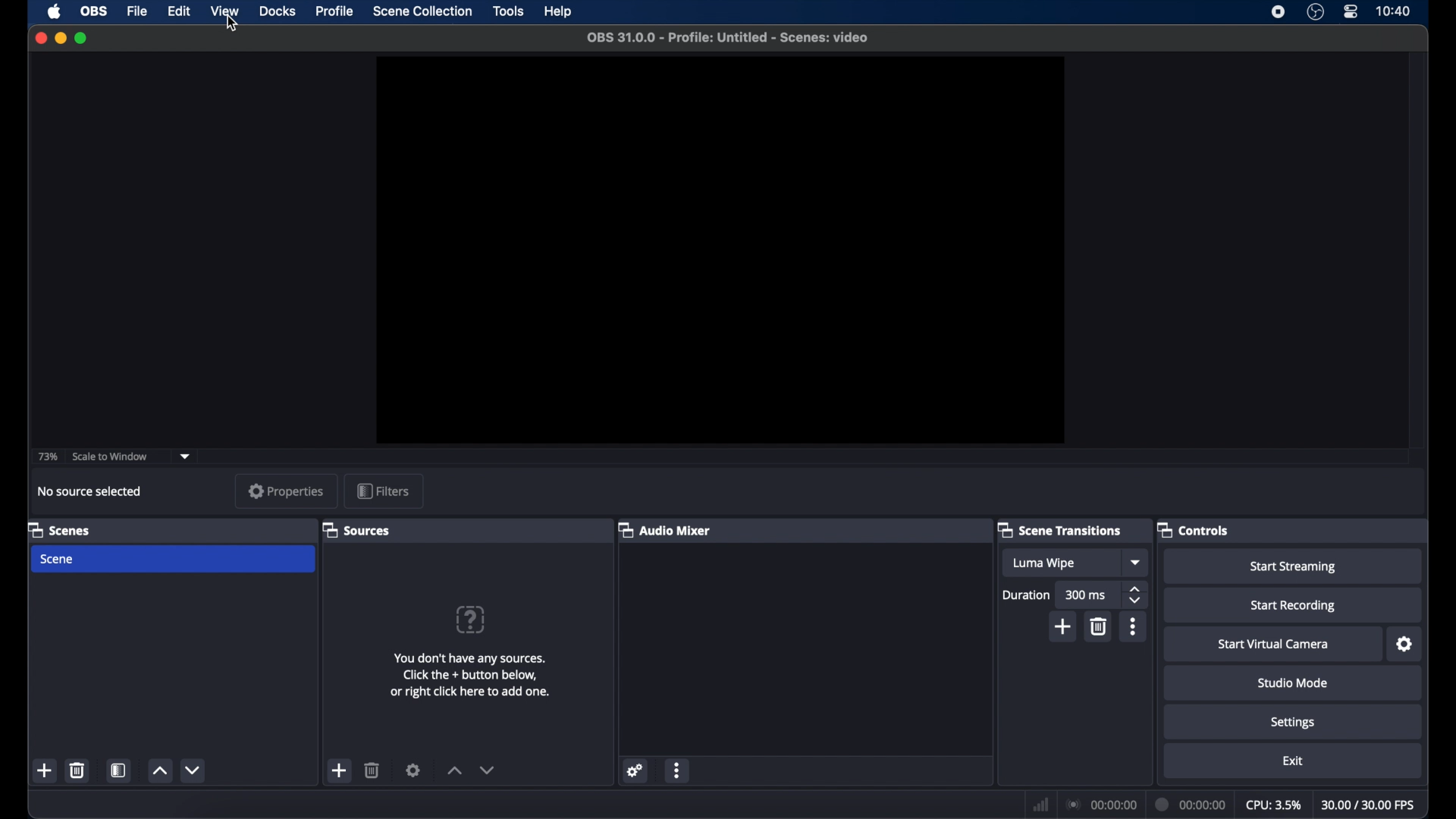 This screenshot has width=1456, height=819. What do you see at coordinates (59, 529) in the screenshot?
I see `scenes` at bounding box center [59, 529].